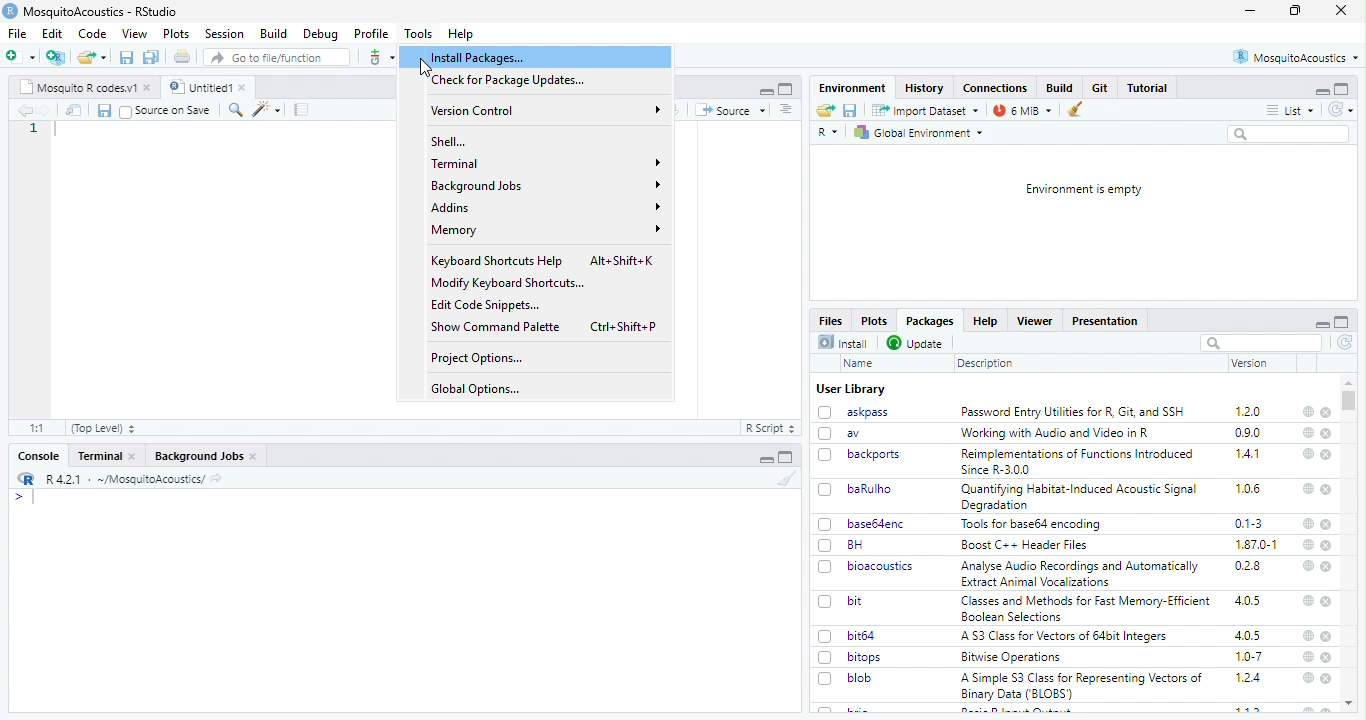  What do you see at coordinates (1342, 10) in the screenshot?
I see `close` at bounding box center [1342, 10].